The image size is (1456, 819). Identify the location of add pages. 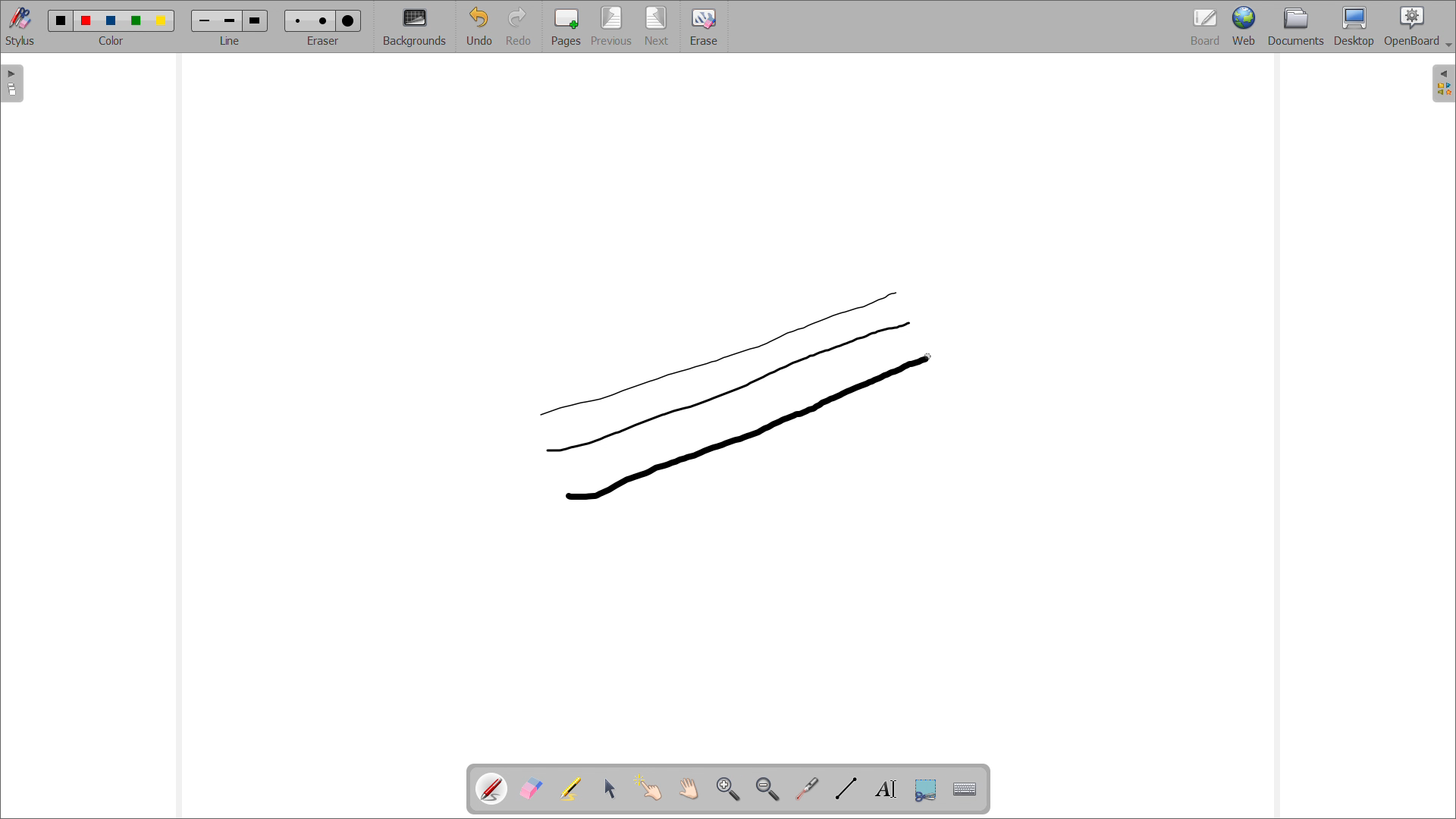
(566, 27).